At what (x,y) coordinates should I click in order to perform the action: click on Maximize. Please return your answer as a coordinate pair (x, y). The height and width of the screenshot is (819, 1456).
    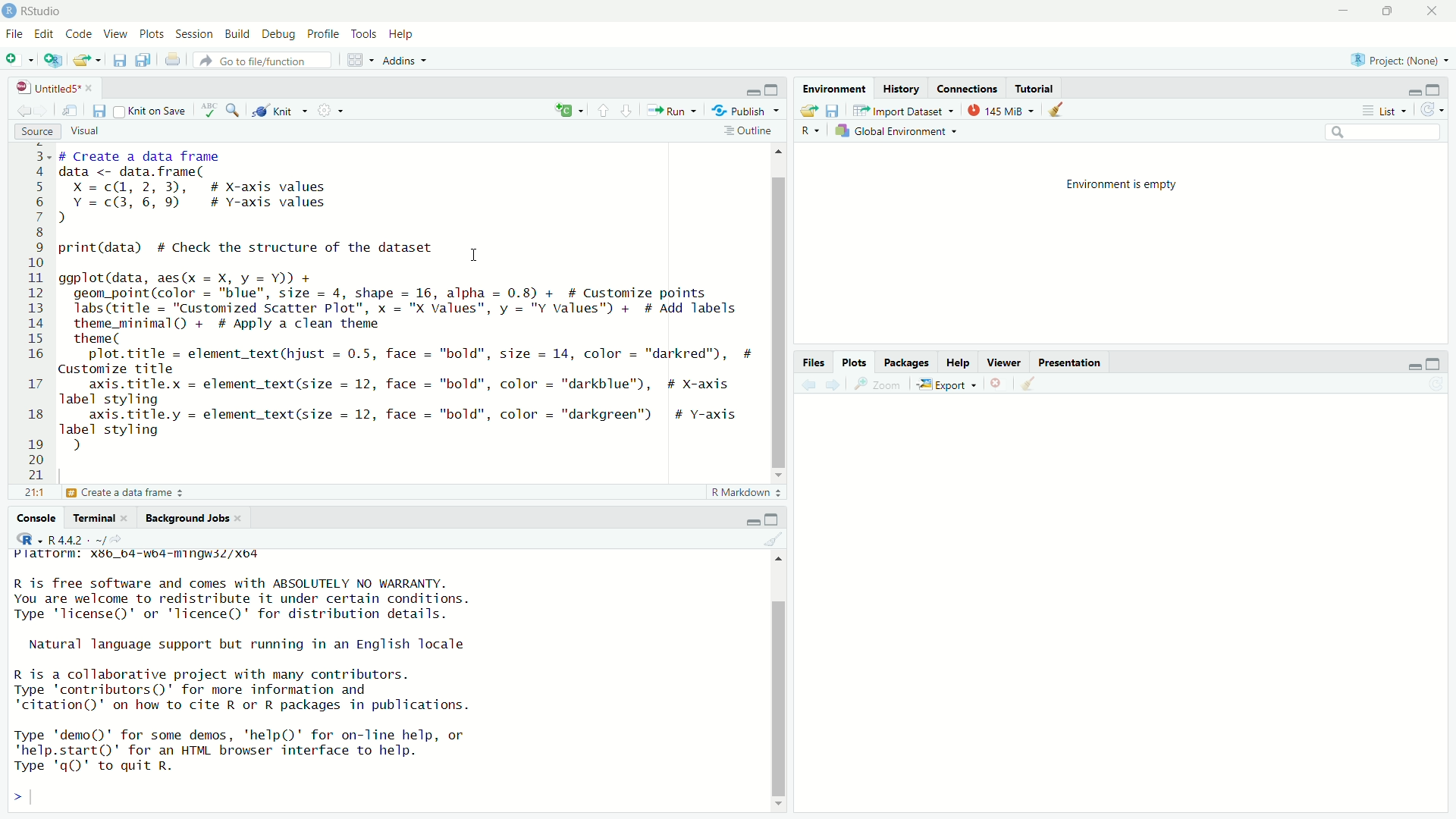
    Looking at the image, I should click on (773, 520).